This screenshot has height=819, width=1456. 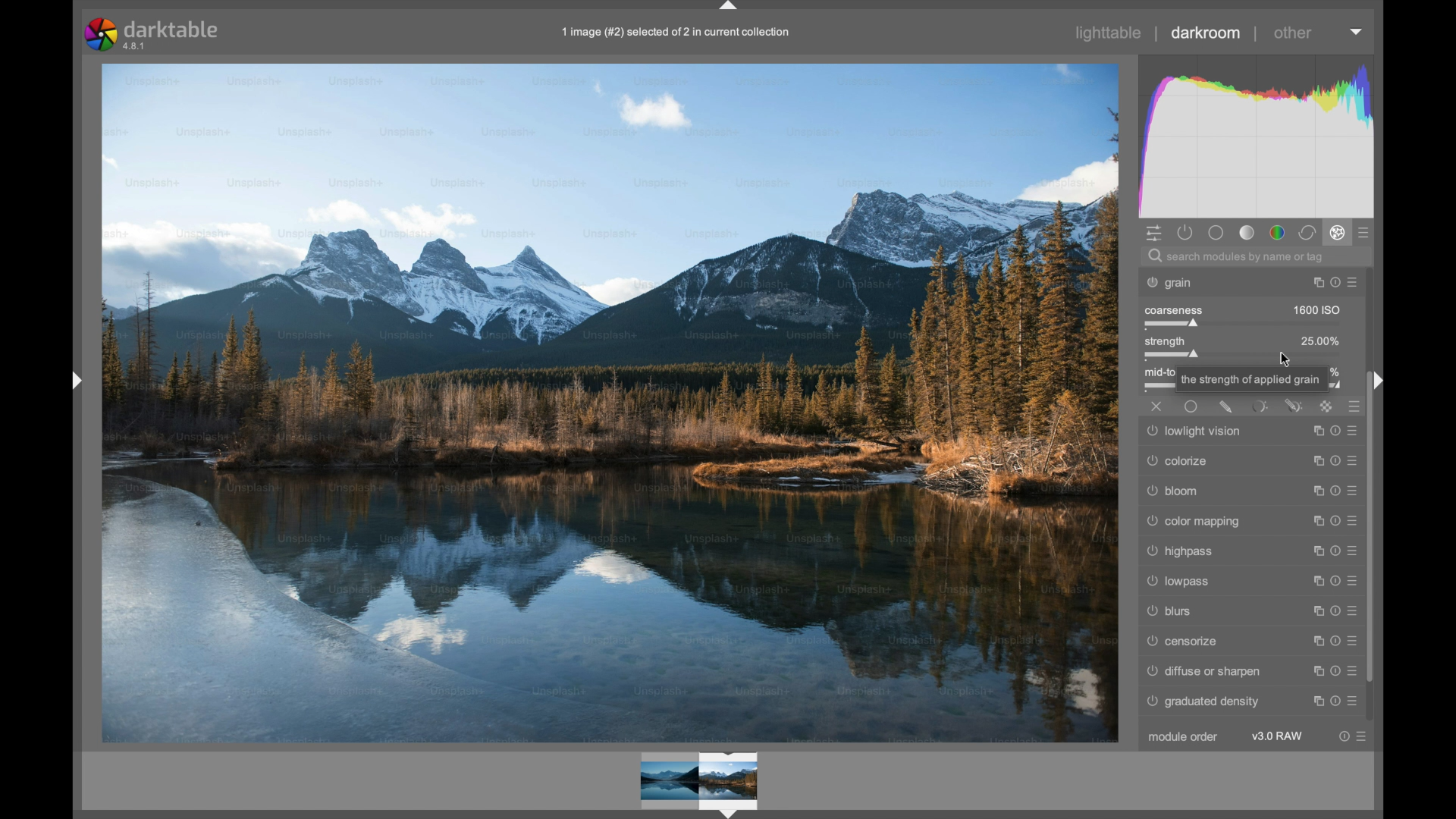 What do you see at coordinates (1250, 380) in the screenshot?
I see `the strength of applied grain` at bounding box center [1250, 380].